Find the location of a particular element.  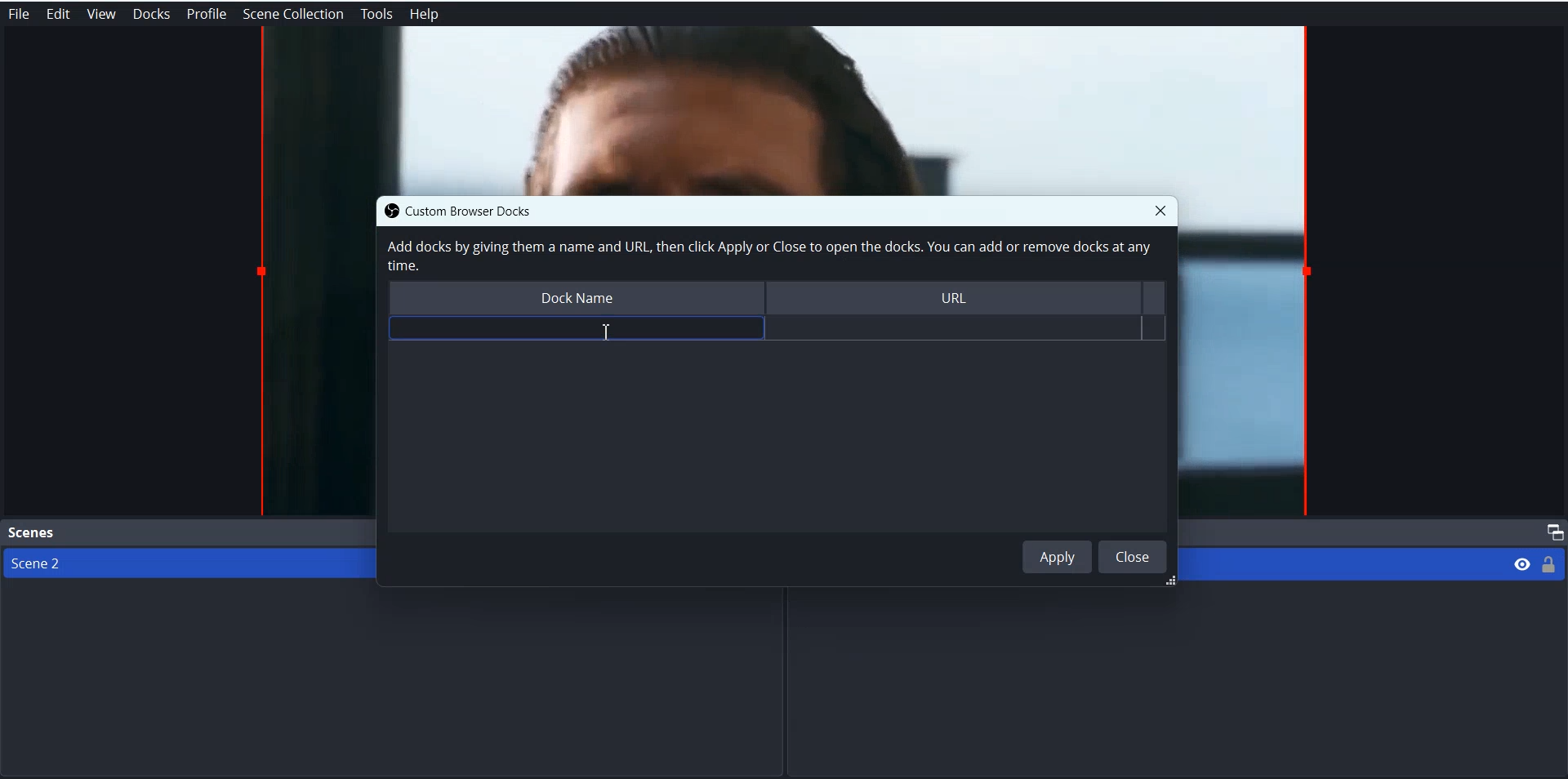

Tools is located at coordinates (376, 15).